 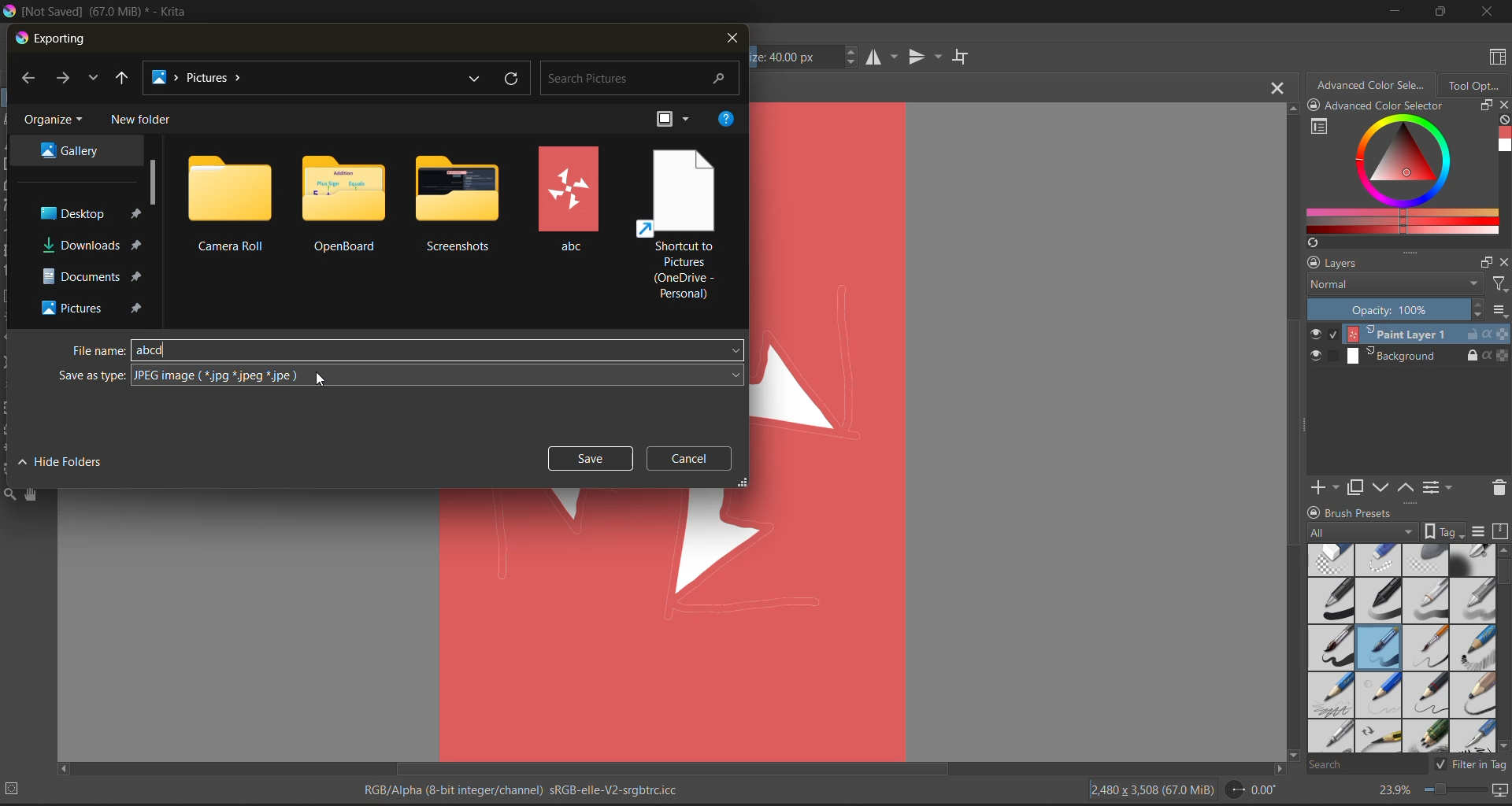 What do you see at coordinates (458, 205) in the screenshot?
I see `folders and files` at bounding box center [458, 205].